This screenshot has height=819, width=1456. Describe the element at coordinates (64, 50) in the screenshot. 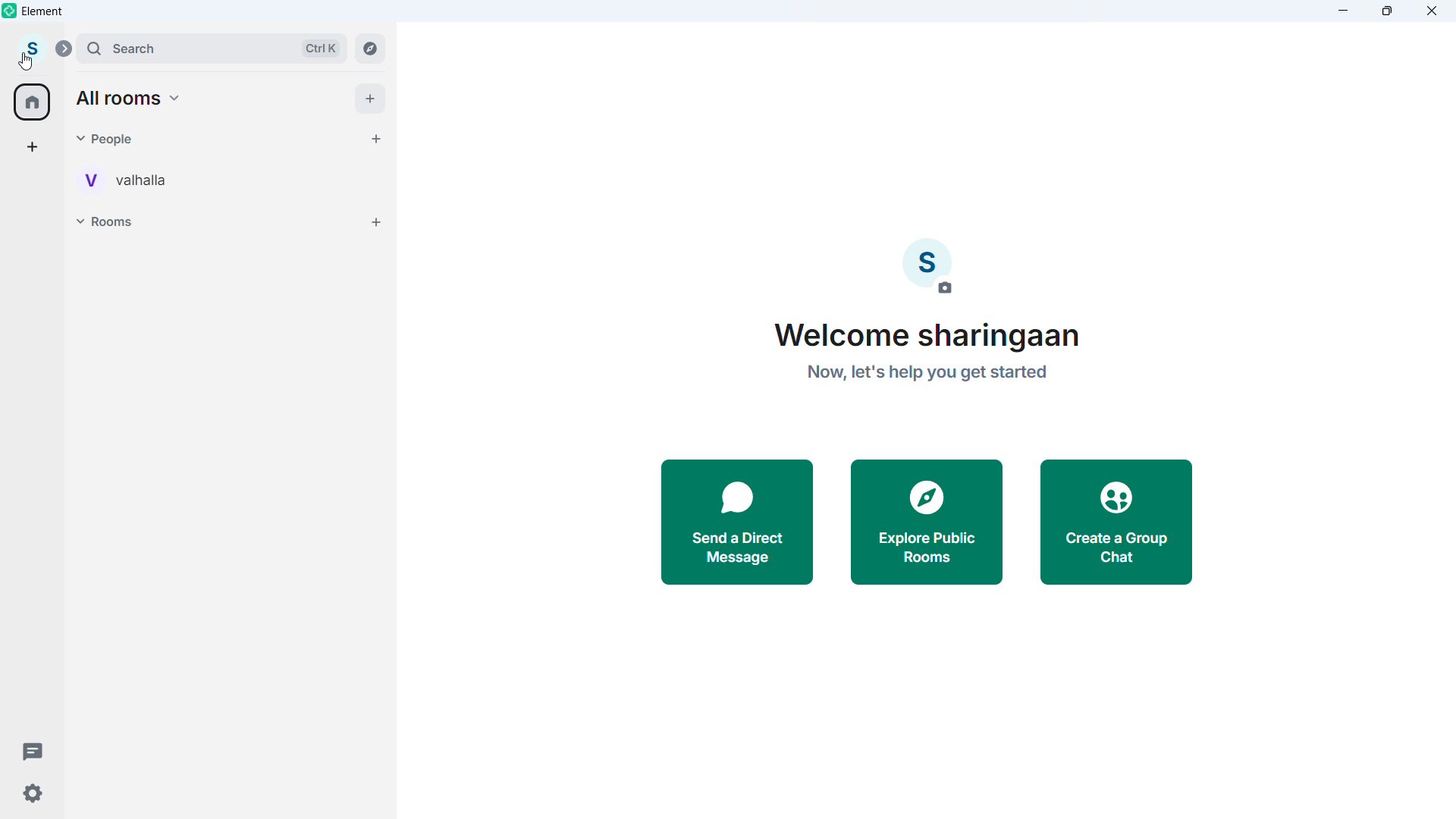

I see `Expand sidebar ` at that location.